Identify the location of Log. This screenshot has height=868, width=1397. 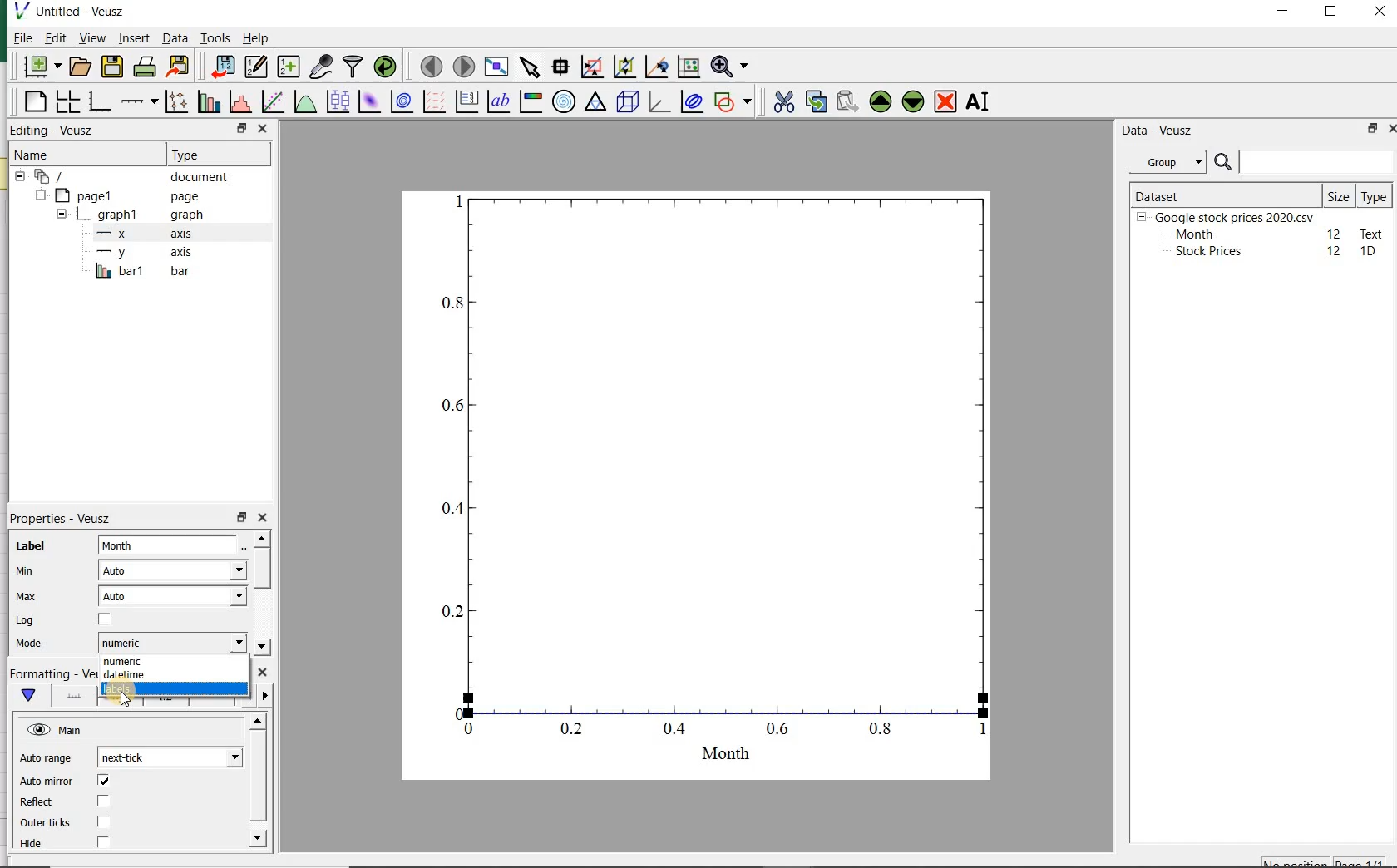
(24, 620).